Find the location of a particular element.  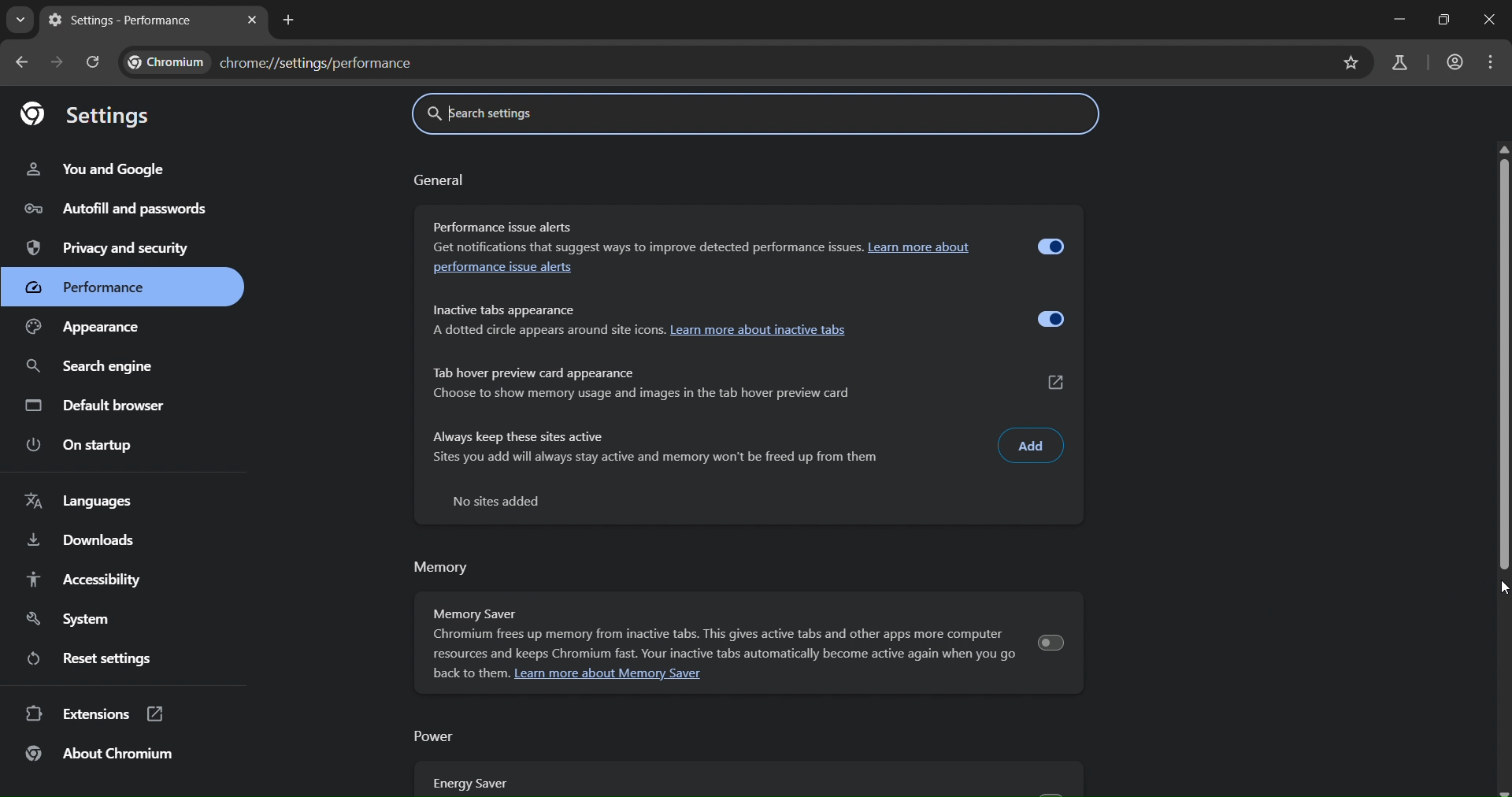

general is located at coordinates (441, 181).